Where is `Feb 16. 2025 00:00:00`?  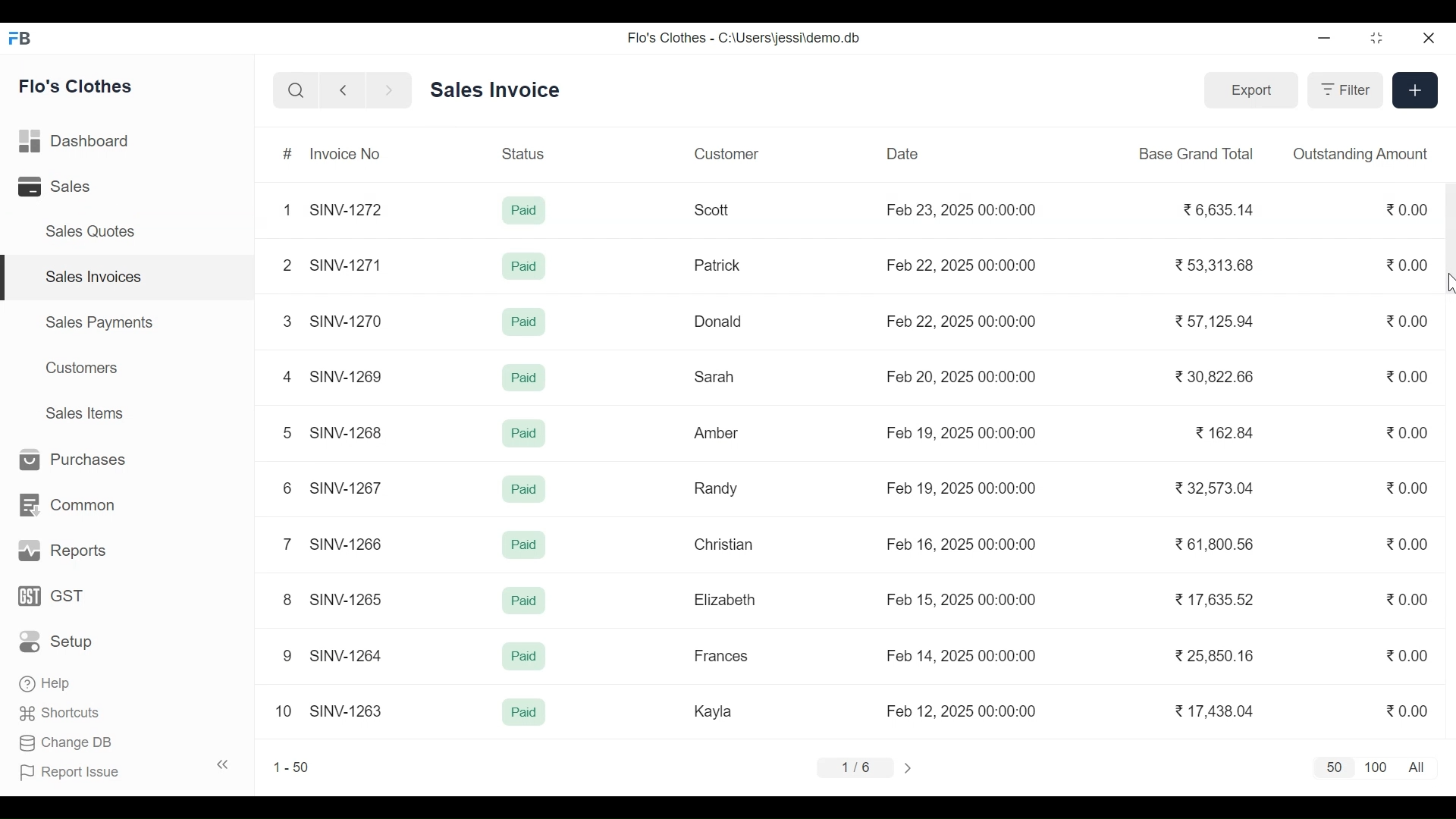 Feb 16. 2025 00:00:00 is located at coordinates (960, 544).